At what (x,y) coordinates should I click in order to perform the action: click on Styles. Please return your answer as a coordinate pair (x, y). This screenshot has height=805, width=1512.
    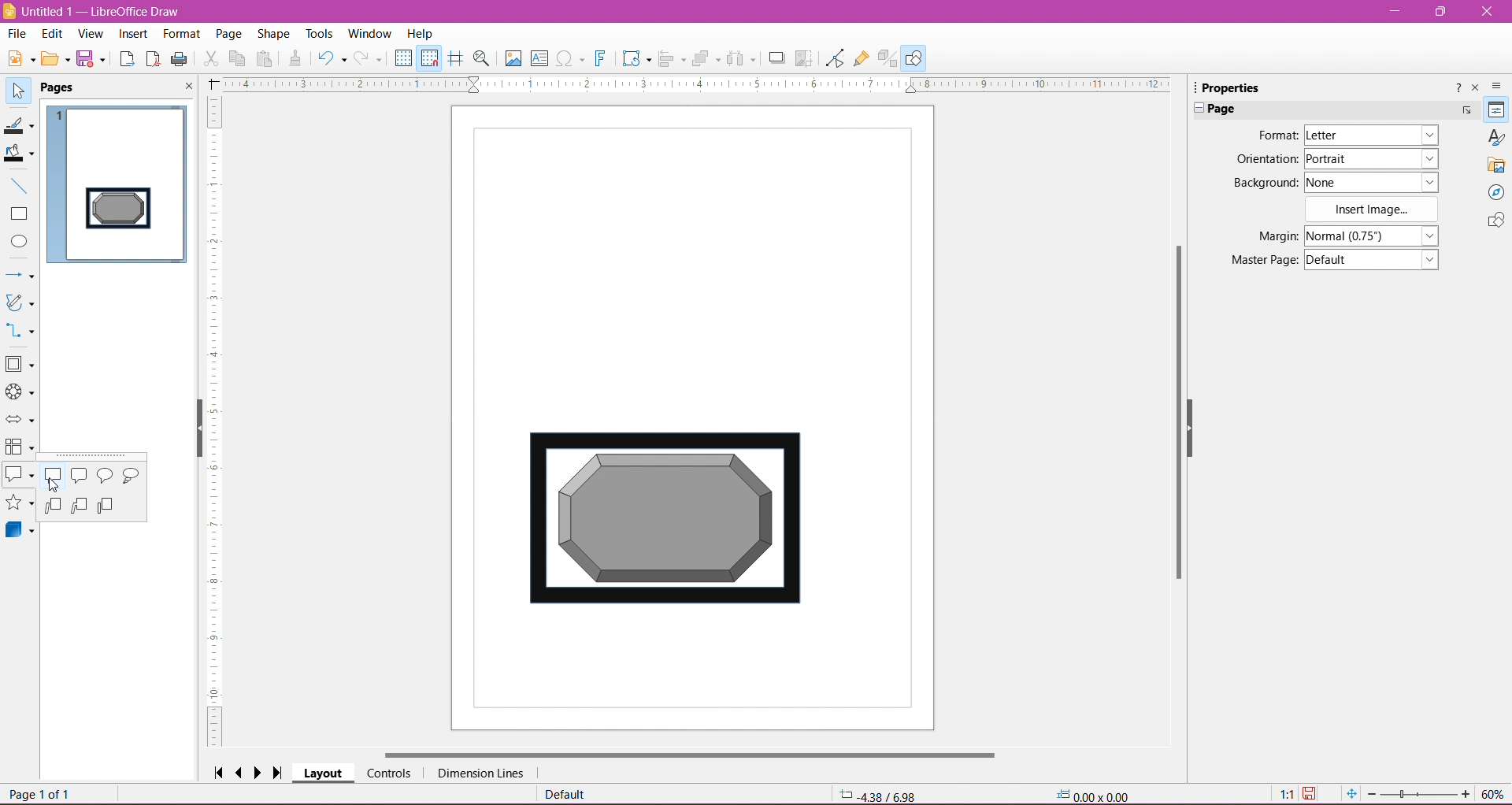
    Looking at the image, I should click on (1496, 137).